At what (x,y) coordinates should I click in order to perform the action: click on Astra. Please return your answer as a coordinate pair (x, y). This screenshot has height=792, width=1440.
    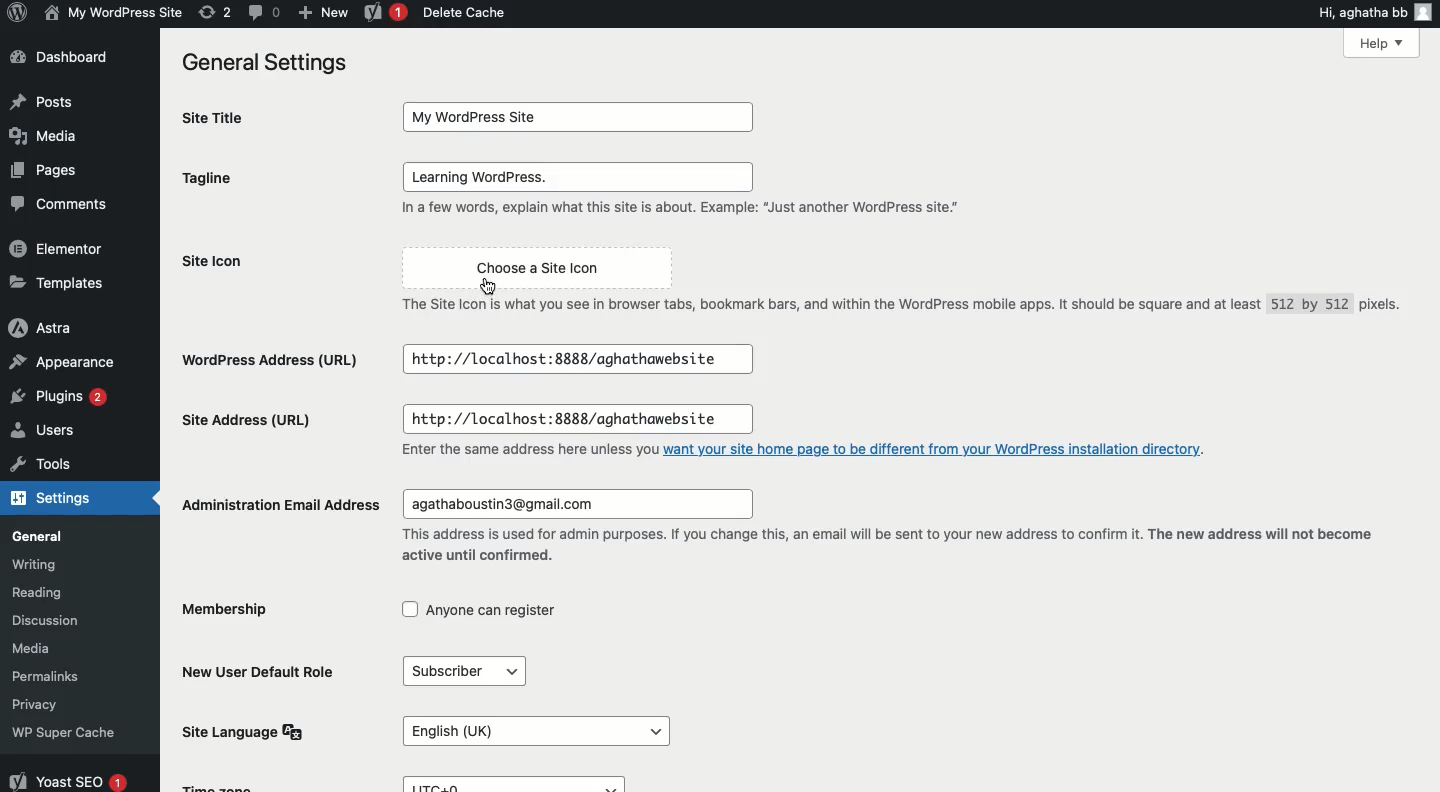
    Looking at the image, I should click on (61, 330).